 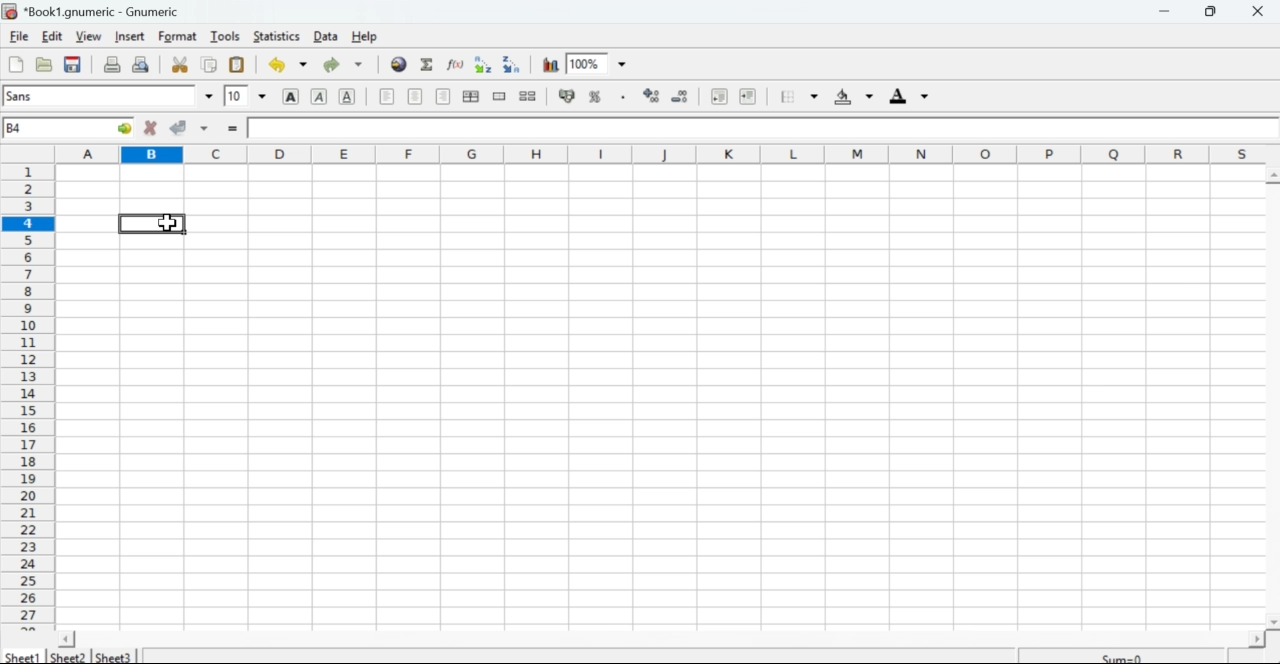 I want to click on Graphs, so click(x=549, y=64).